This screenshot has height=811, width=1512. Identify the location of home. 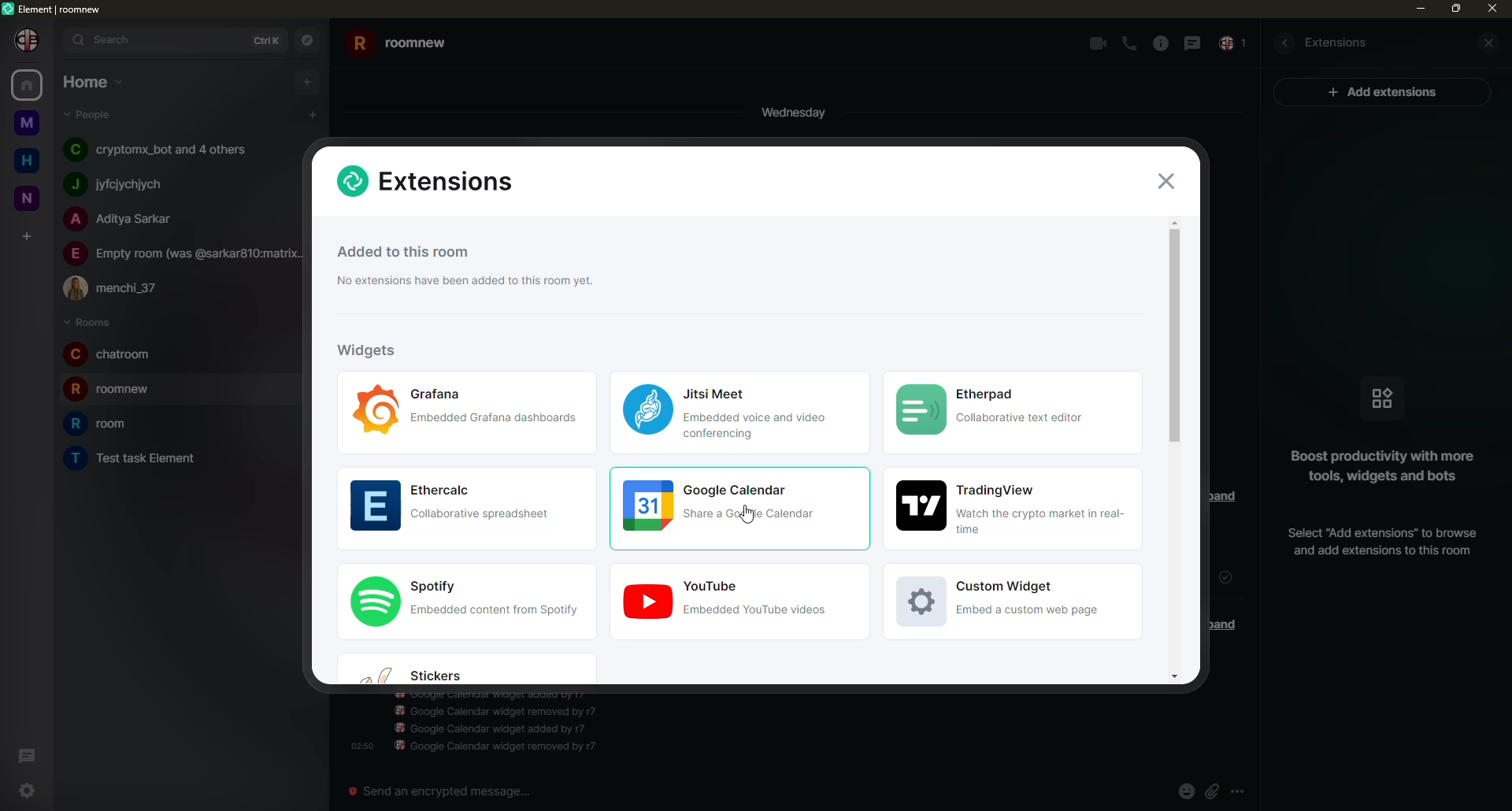
(27, 85).